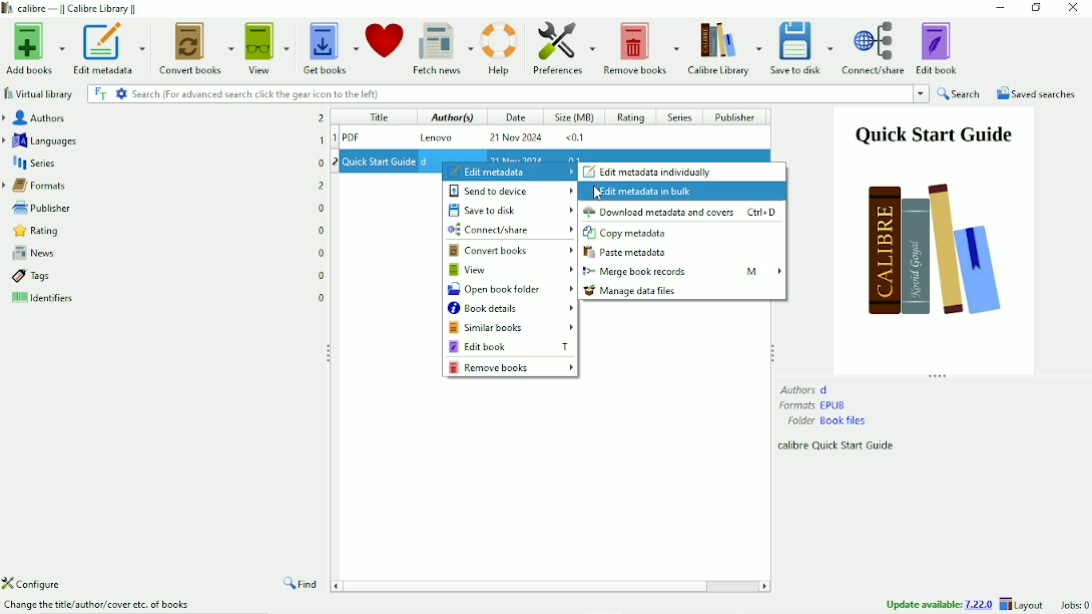  Describe the element at coordinates (740, 117) in the screenshot. I see `Publisher` at that location.